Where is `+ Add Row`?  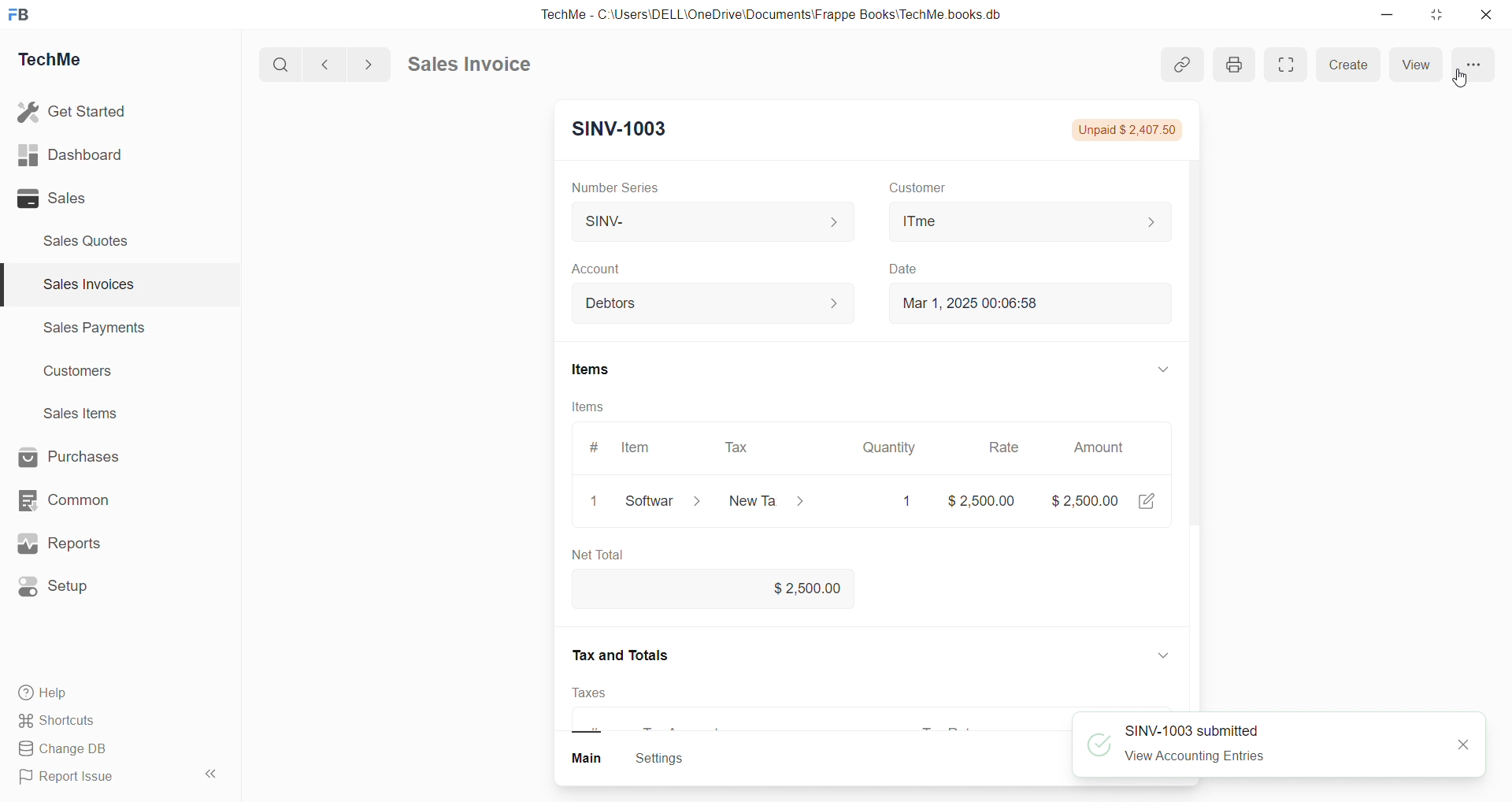 + Add Row is located at coordinates (615, 555).